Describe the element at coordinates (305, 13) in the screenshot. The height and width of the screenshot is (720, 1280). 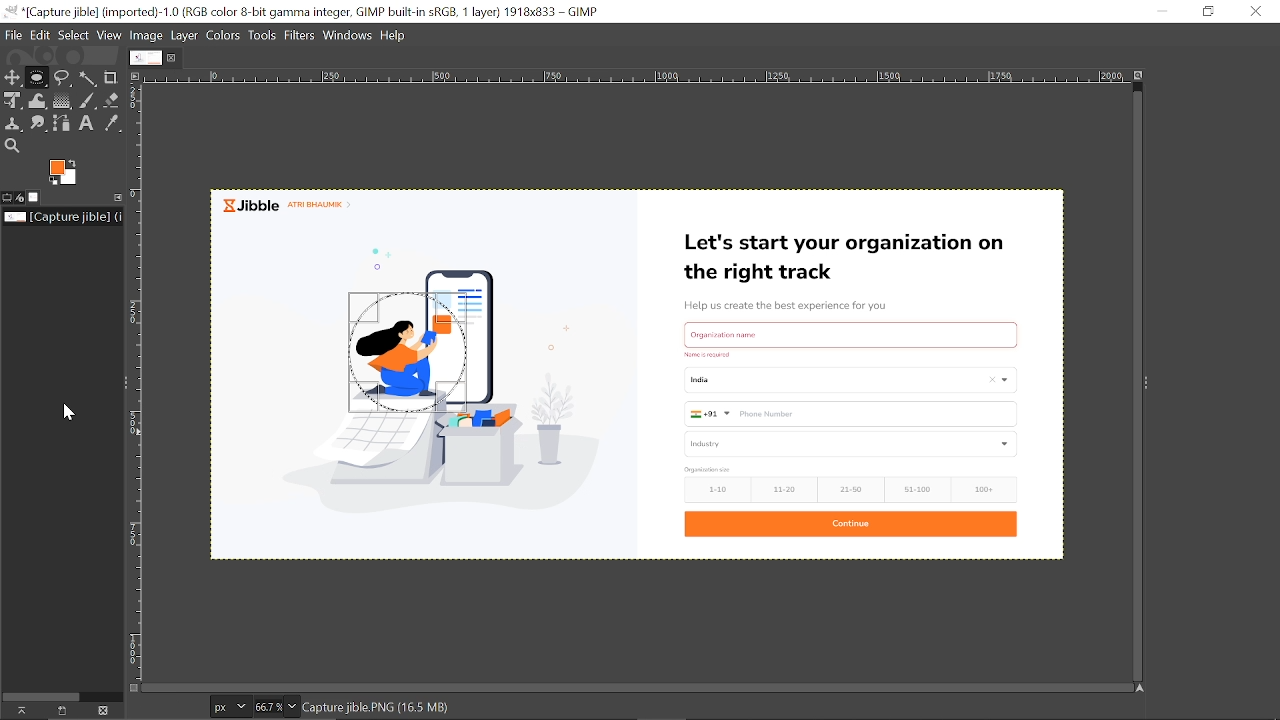
I see `Current window` at that location.